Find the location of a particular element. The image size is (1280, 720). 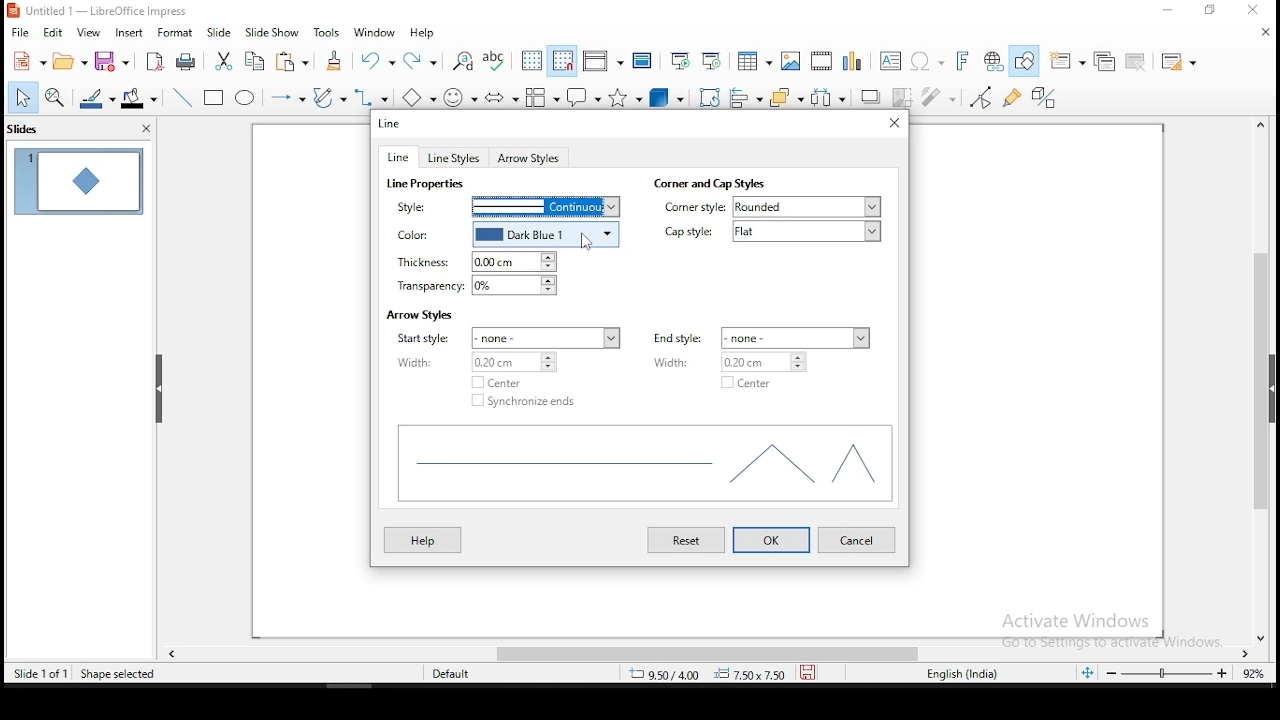

delete slide is located at coordinates (1137, 63).